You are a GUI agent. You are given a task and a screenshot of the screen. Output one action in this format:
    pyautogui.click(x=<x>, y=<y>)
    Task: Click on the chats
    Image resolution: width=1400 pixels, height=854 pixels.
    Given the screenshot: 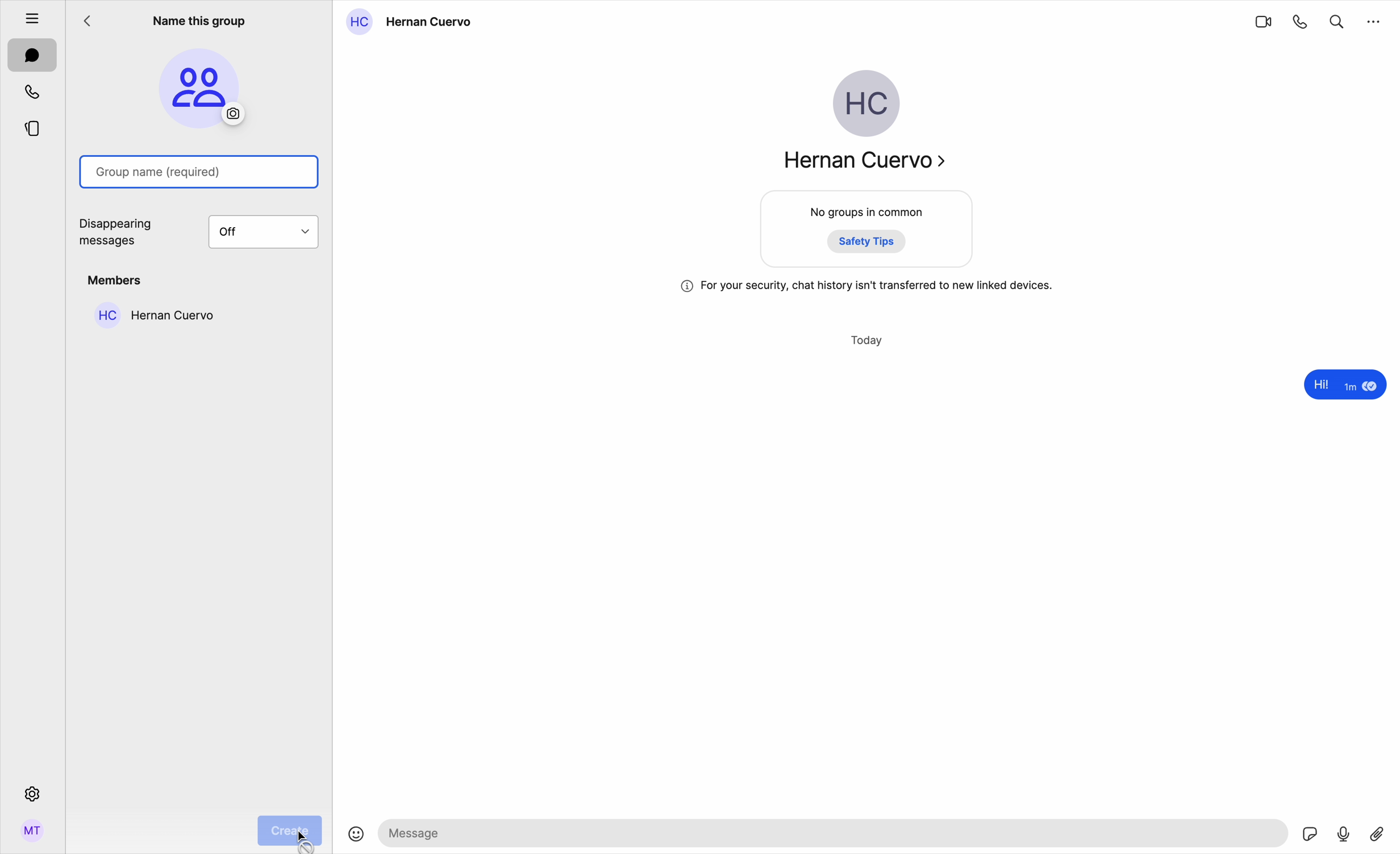 What is the action you would take?
    pyautogui.click(x=32, y=56)
    